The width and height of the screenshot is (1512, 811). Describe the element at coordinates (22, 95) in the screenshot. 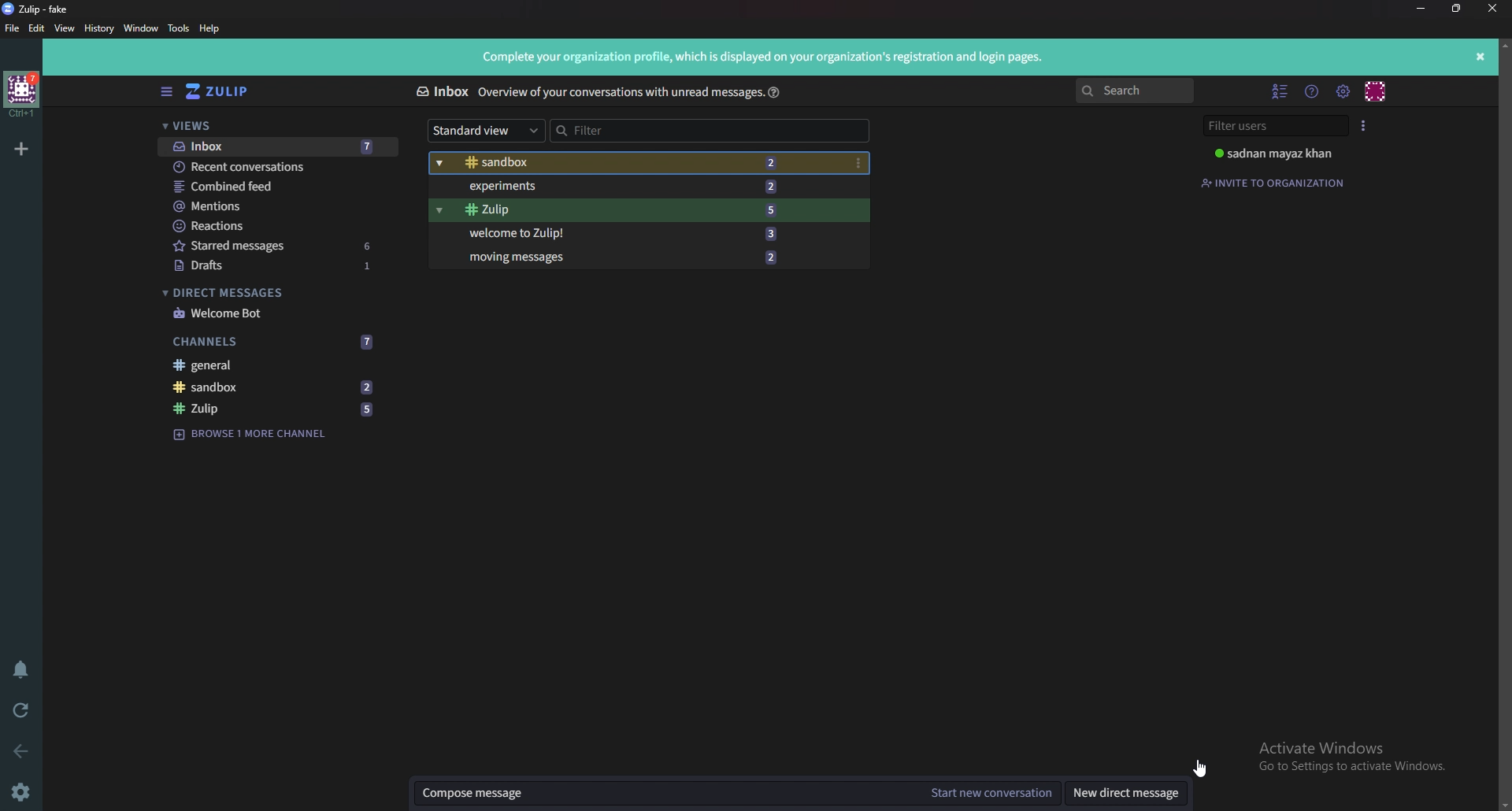

I see `home` at that location.